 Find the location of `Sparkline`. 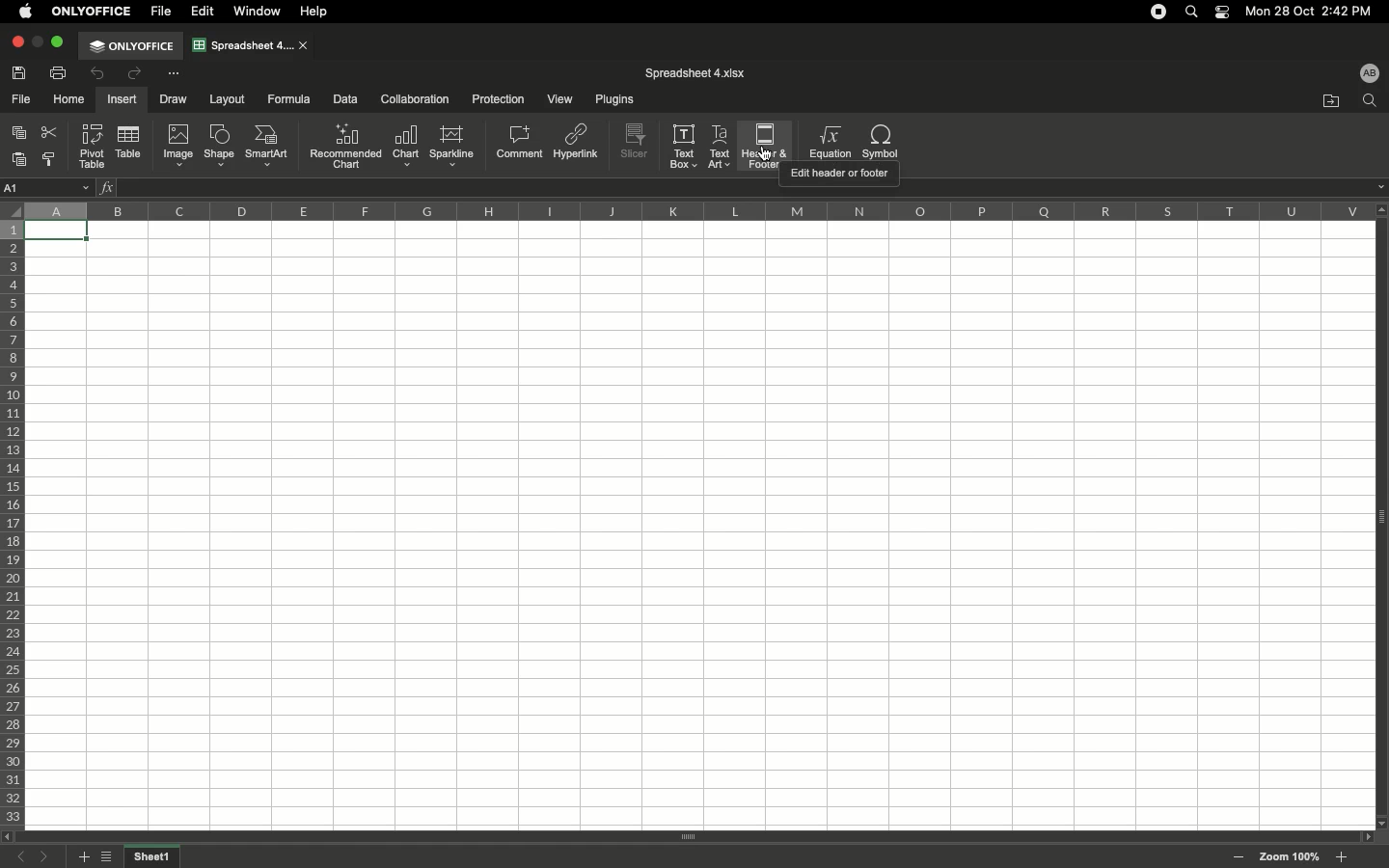

Sparkline is located at coordinates (451, 146).